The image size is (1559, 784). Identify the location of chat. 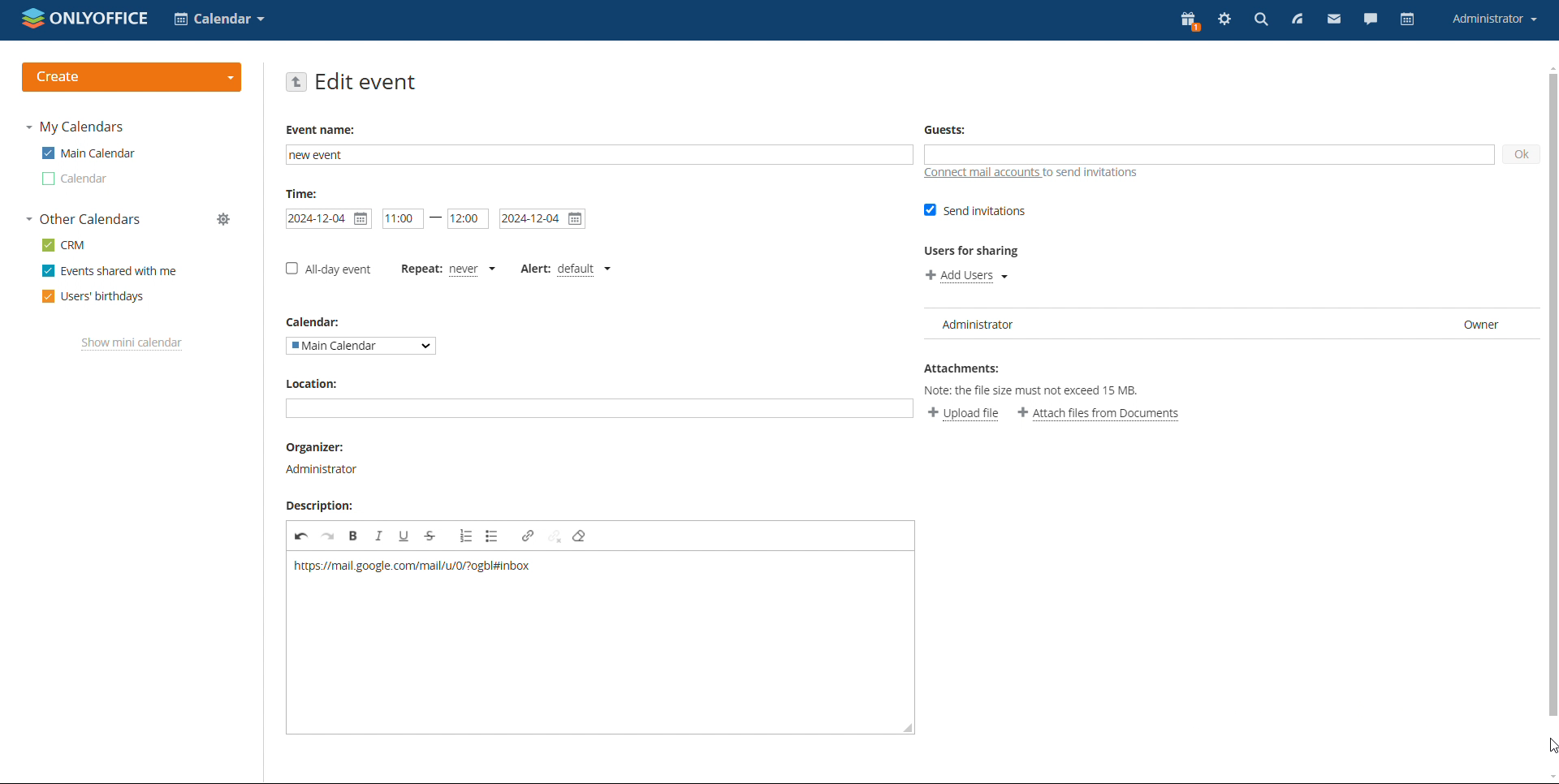
(1371, 21).